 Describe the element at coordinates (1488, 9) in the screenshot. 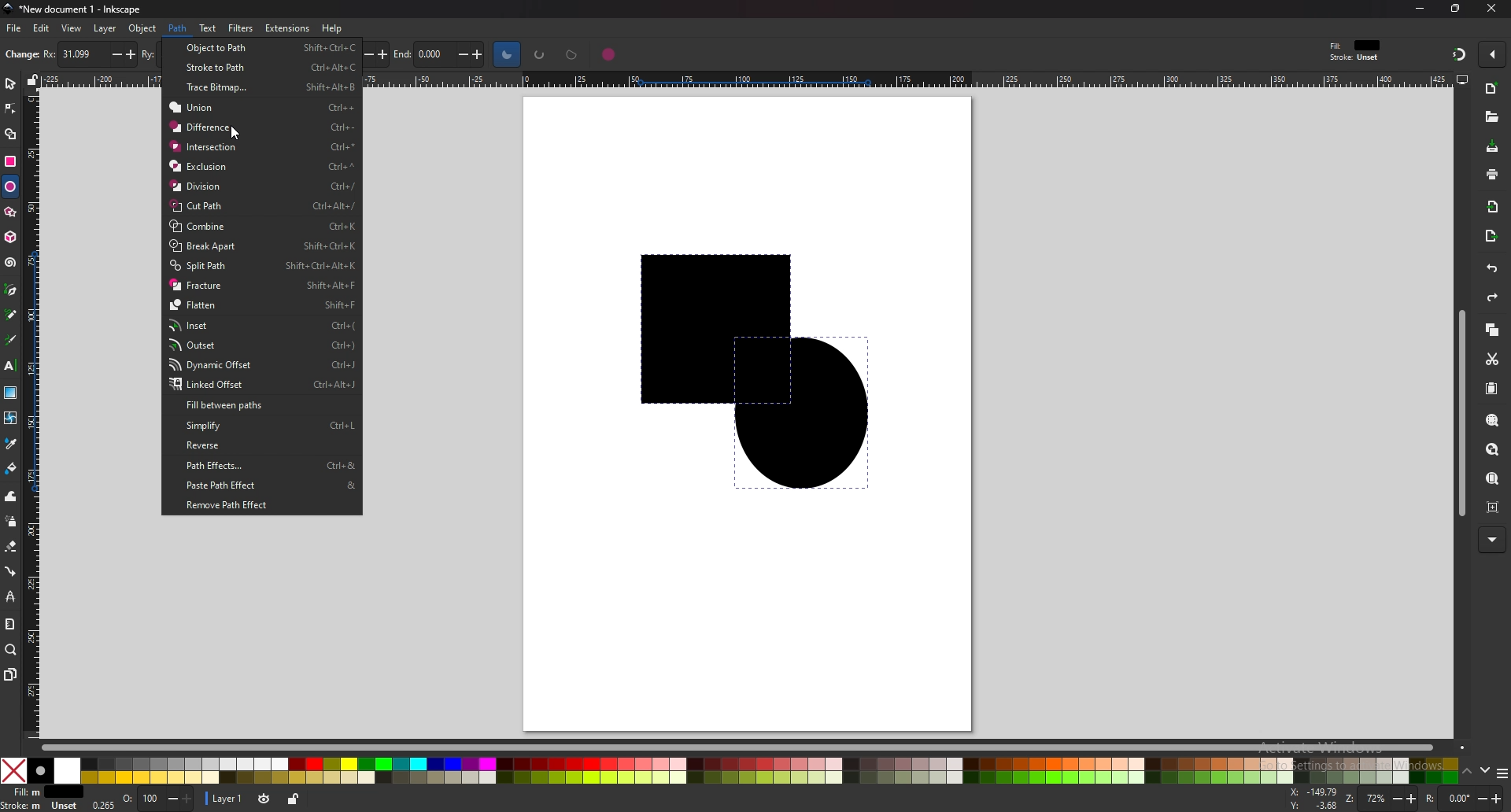

I see `close` at that location.